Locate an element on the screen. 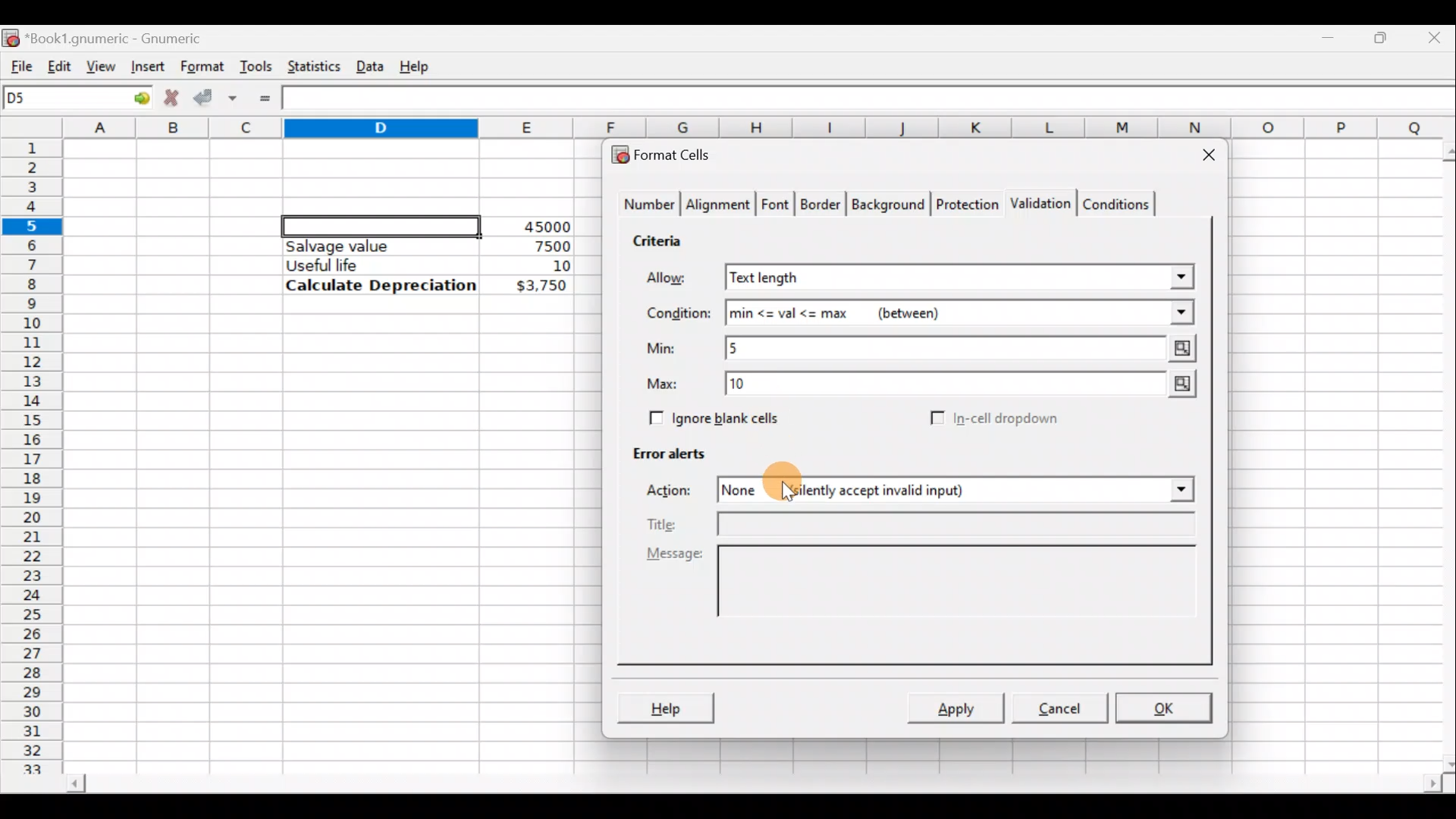 Image resolution: width=1456 pixels, height=819 pixels. Selected cell is located at coordinates (381, 224).